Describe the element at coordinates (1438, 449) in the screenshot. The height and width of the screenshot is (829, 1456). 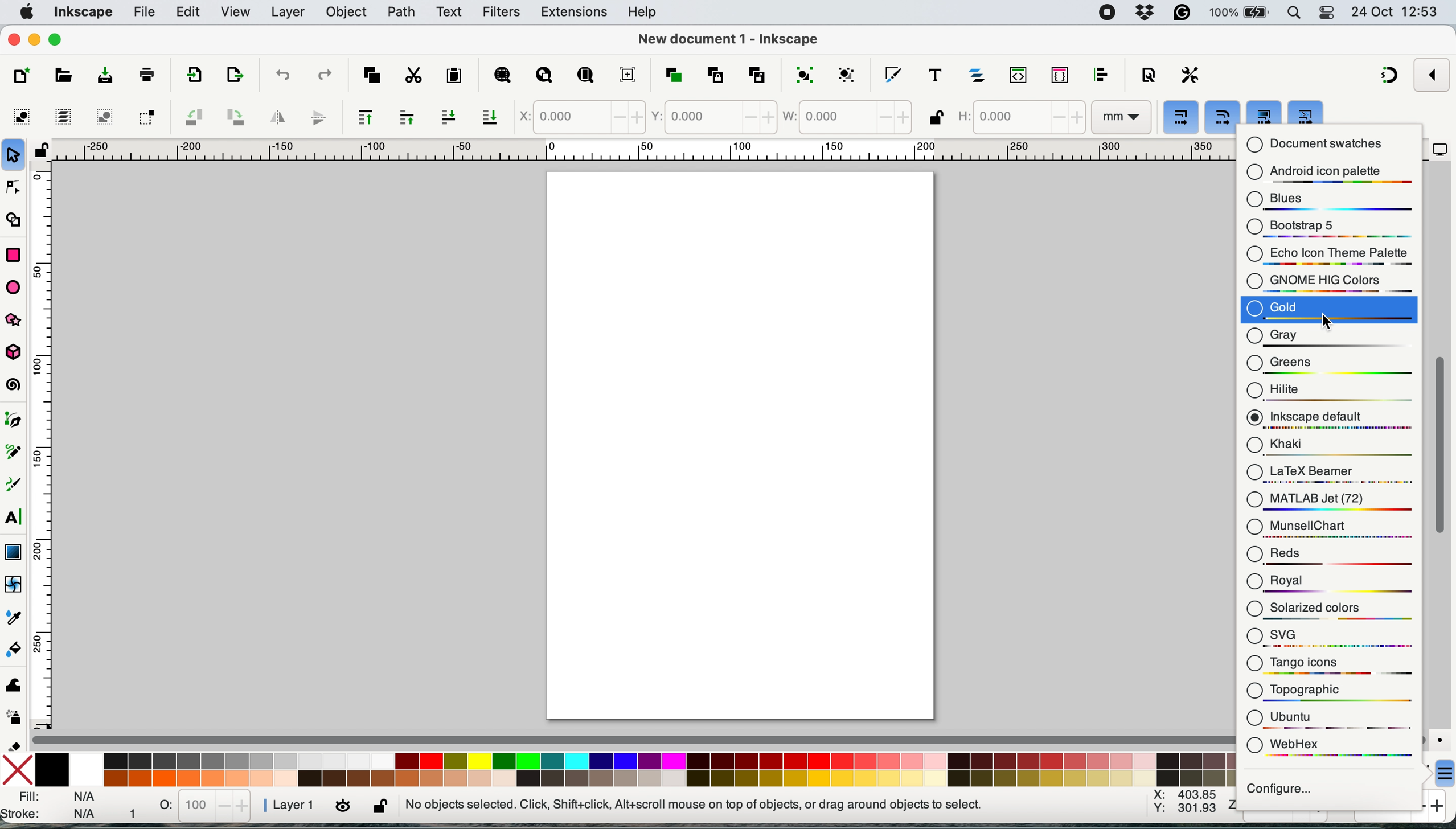
I see `vertical scroll bar` at that location.